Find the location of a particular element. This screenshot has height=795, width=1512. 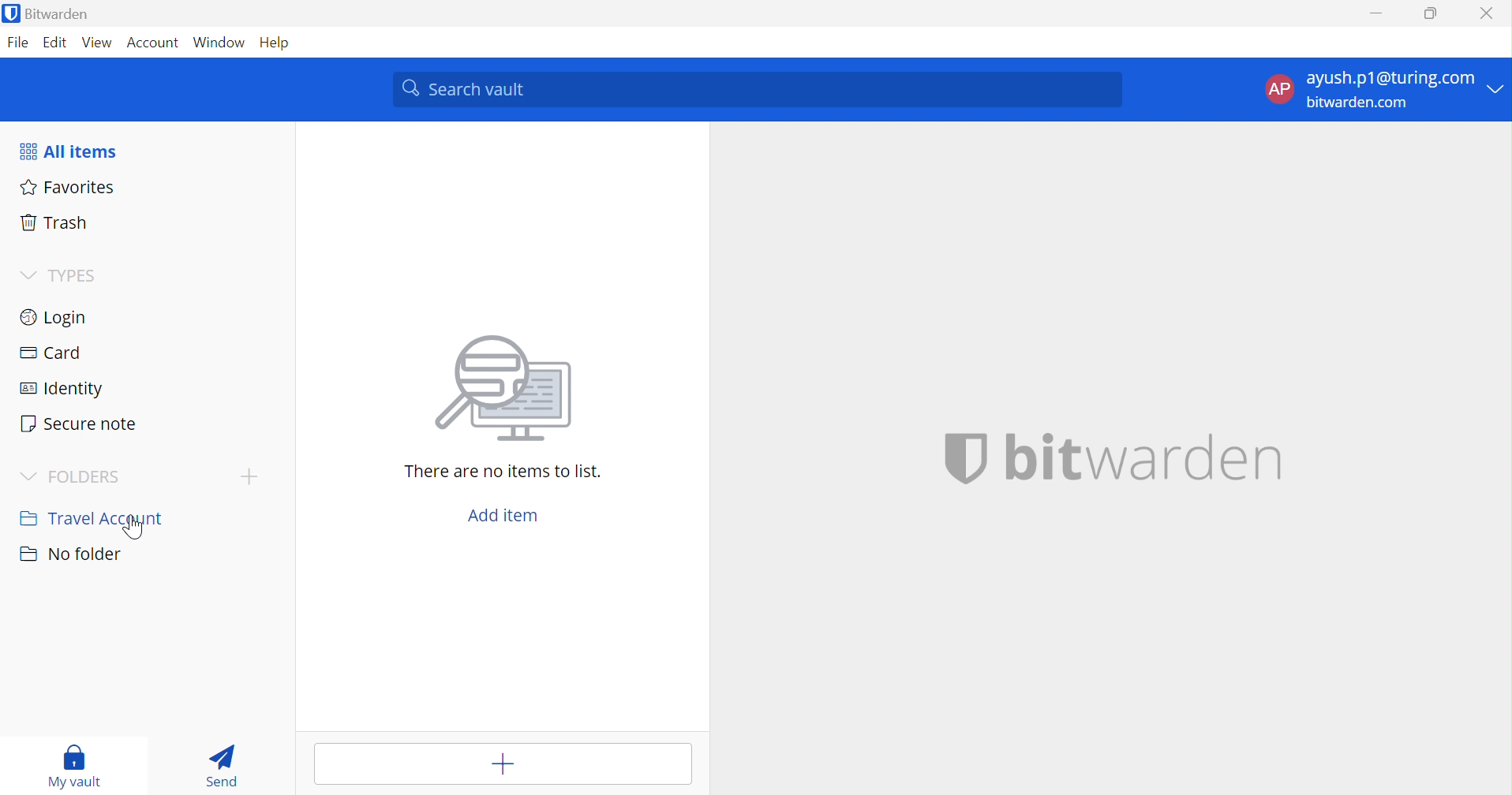

File is located at coordinates (21, 42).